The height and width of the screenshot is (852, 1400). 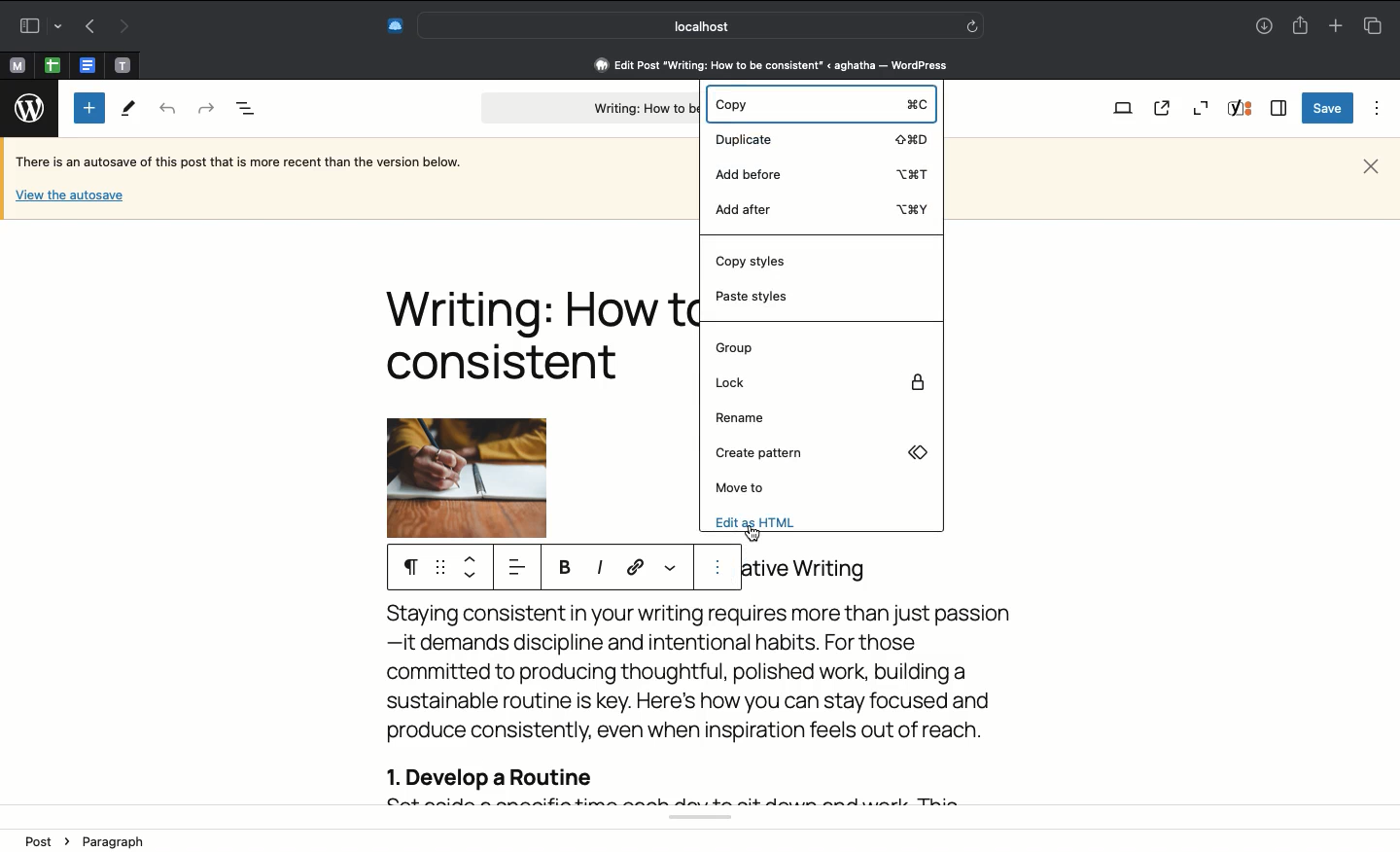 I want to click on Tabs, so click(x=1372, y=25).